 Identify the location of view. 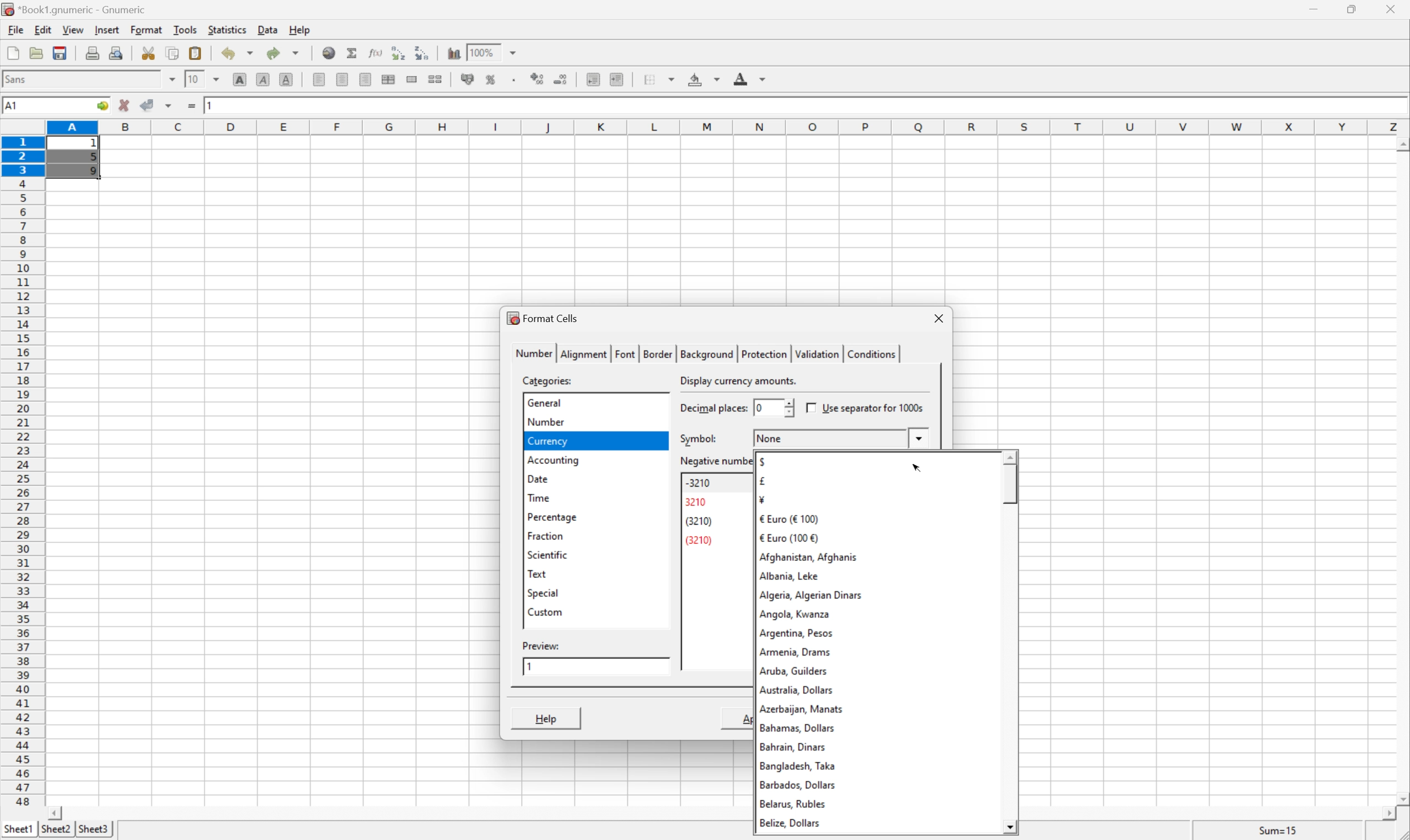
(74, 29).